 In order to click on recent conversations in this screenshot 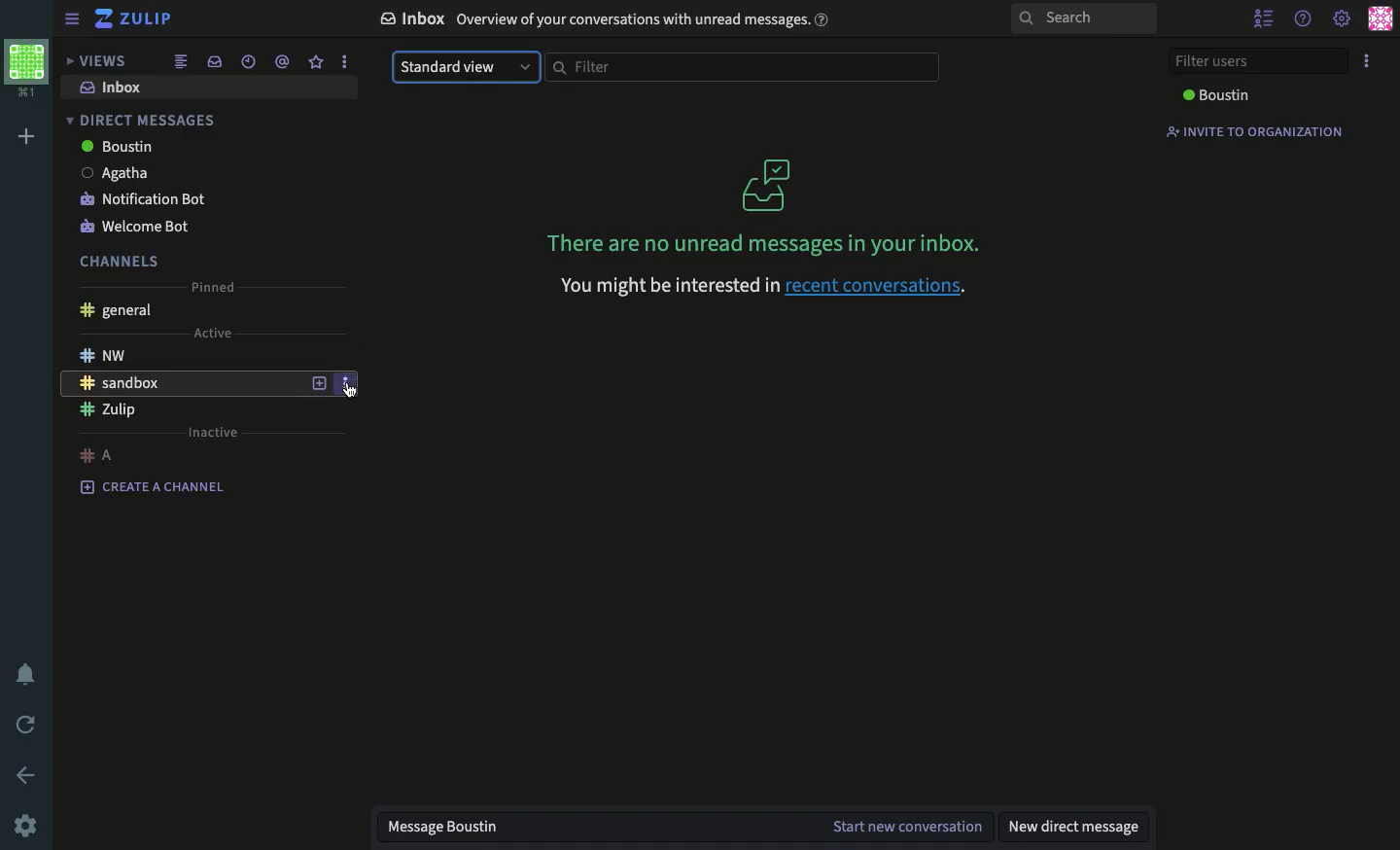, I will do `click(248, 61)`.